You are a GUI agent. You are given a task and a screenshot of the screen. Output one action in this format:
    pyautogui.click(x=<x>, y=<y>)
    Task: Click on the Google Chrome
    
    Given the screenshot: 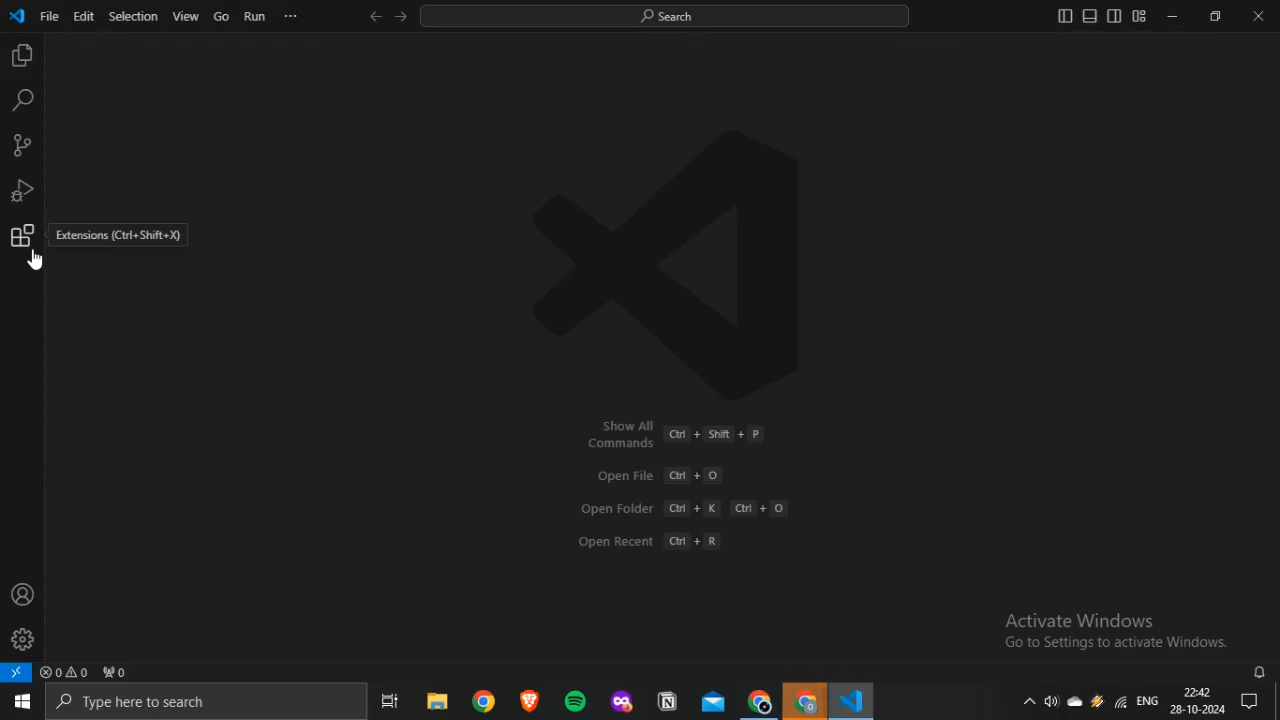 What is the action you would take?
    pyautogui.click(x=759, y=701)
    